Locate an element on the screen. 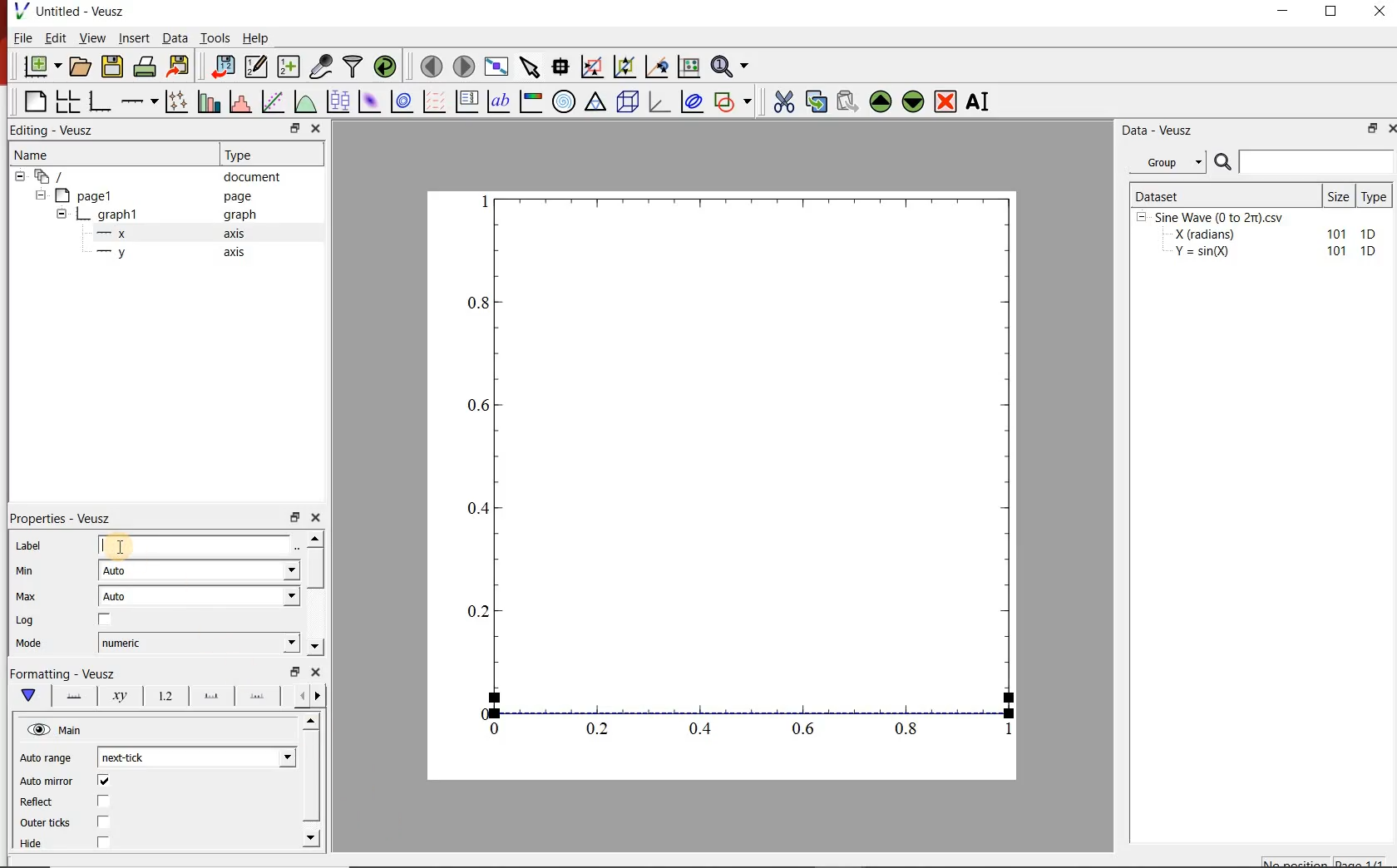 The image size is (1397, 868). print is located at coordinates (146, 67).